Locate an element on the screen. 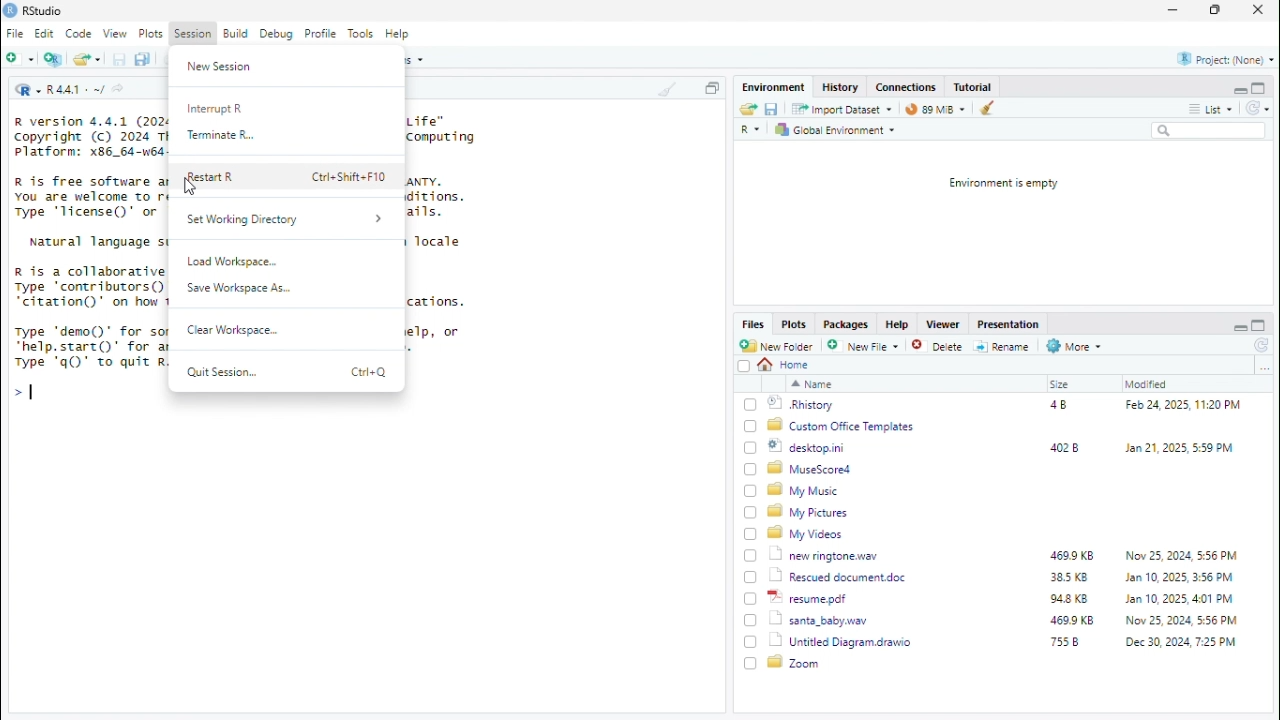 Image resolution: width=1280 pixels, height=720 pixels. Zoom is located at coordinates (795, 662).